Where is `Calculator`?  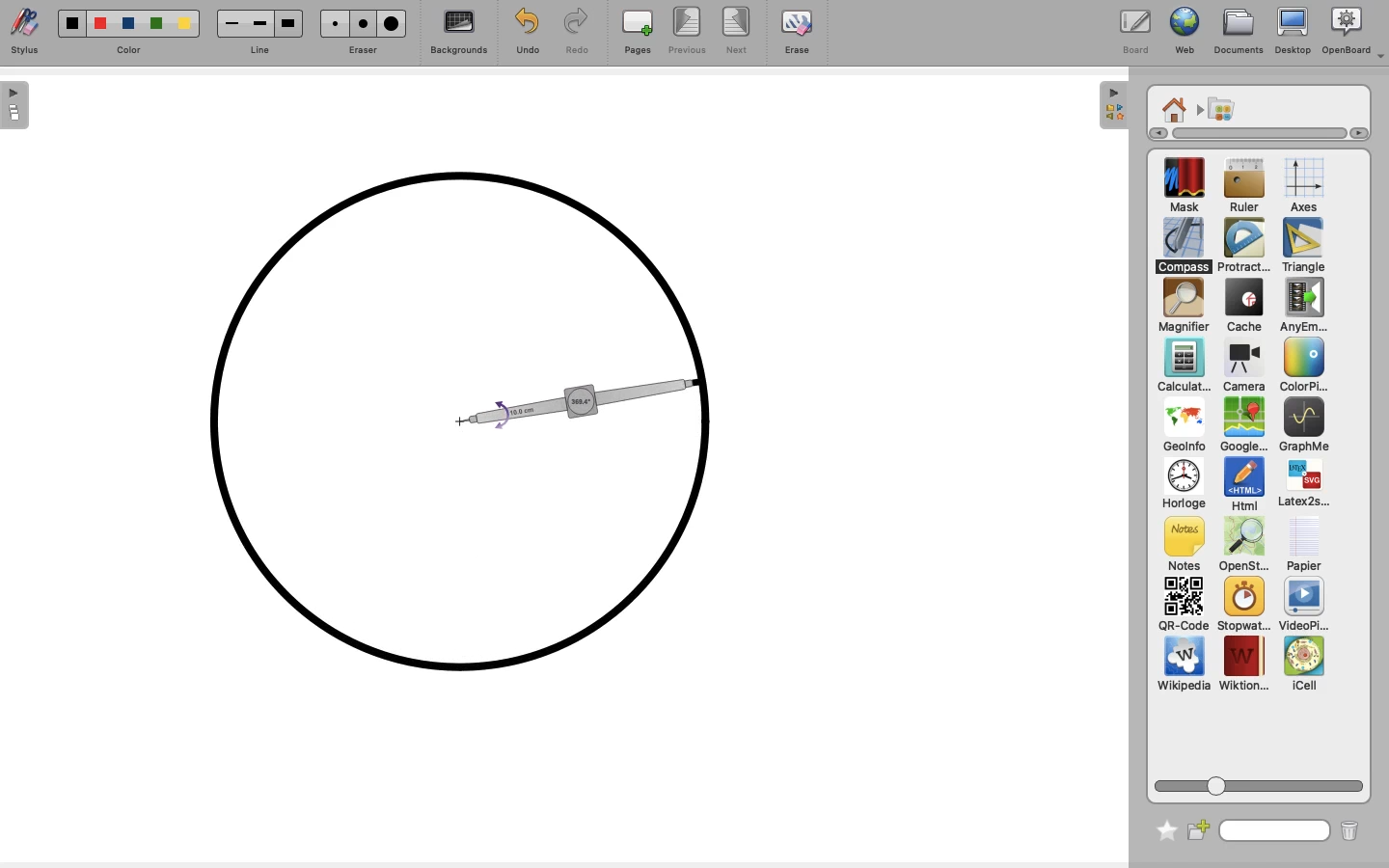
Calculator is located at coordinates (1184, 366).